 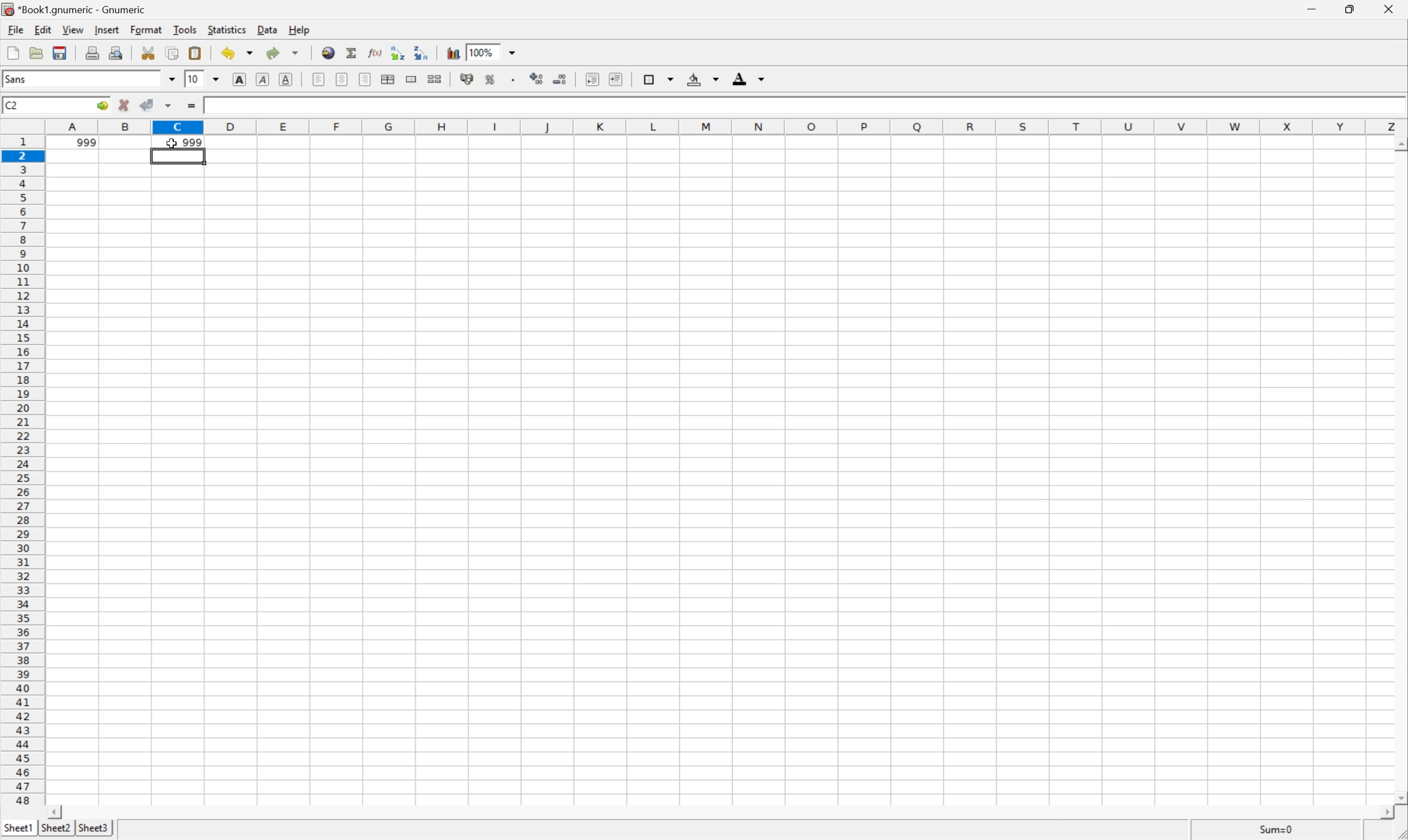 I want to click on font name Sans, so click(x=92, y=80).